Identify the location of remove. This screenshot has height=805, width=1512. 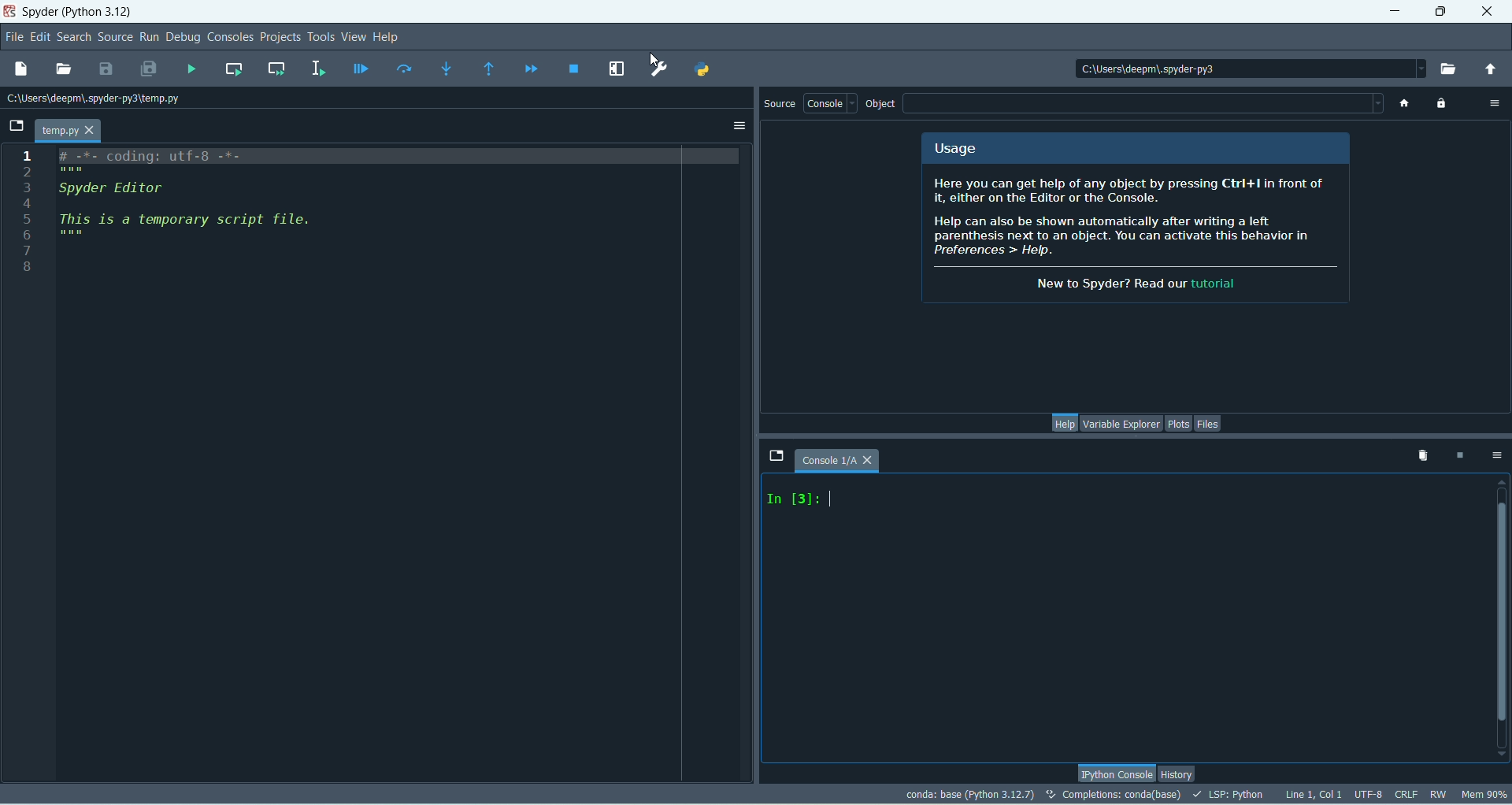
(1419, 454).